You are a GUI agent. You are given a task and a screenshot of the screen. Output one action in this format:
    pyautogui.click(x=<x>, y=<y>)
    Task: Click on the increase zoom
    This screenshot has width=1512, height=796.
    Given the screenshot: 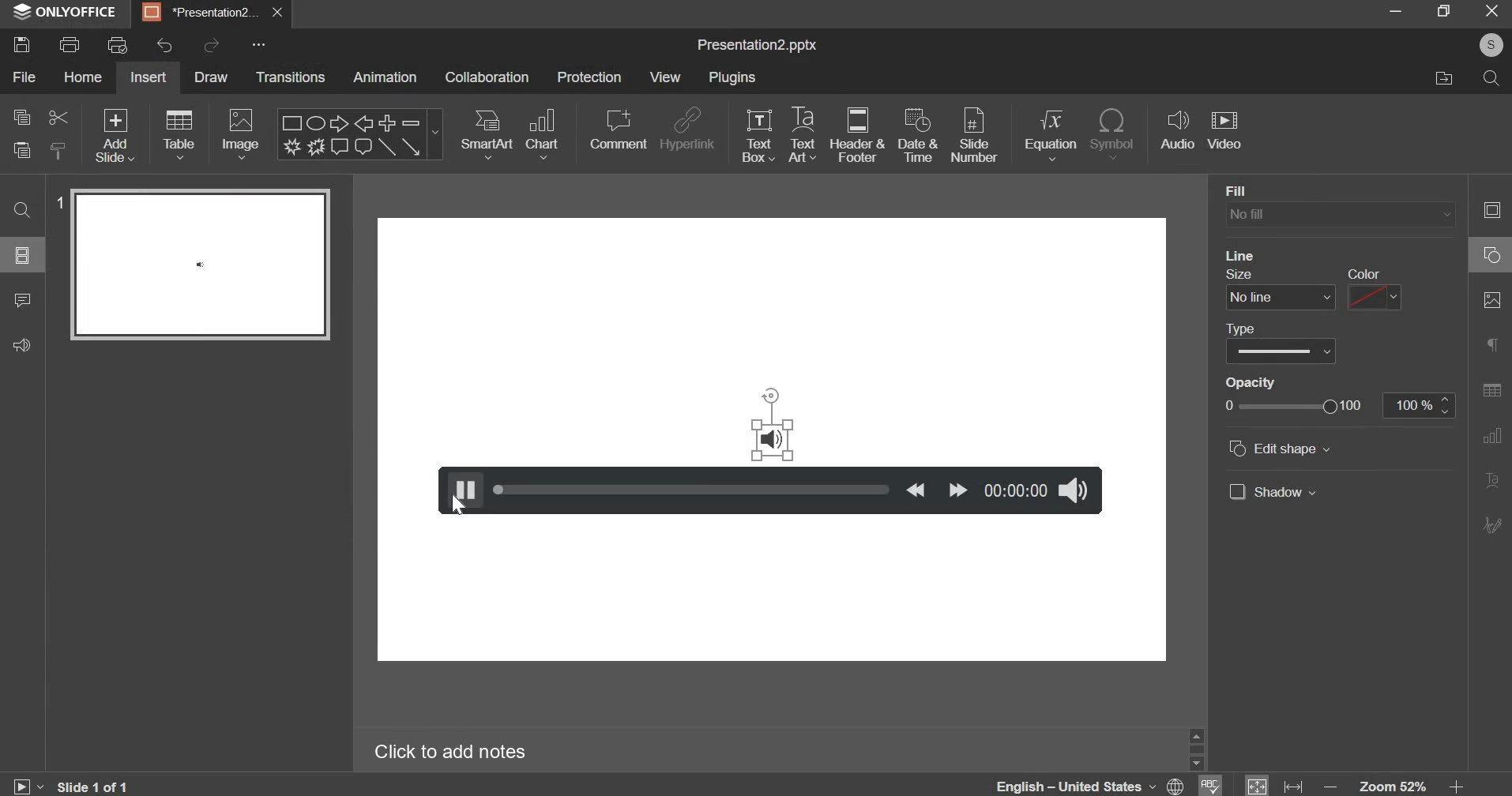 What is the action you would take?
    pyautogui.click(x=1457, y=784)
    